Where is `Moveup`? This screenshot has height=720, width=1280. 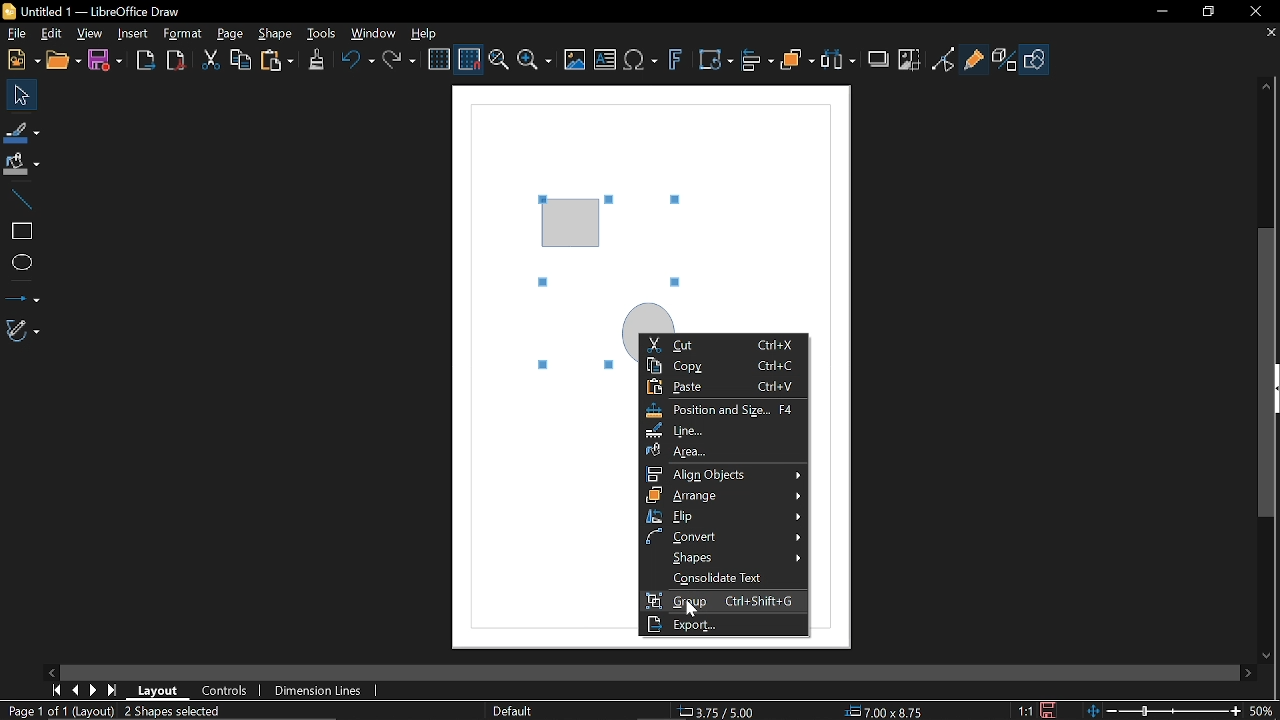 Moveup is located at coordinates (1266, 86).